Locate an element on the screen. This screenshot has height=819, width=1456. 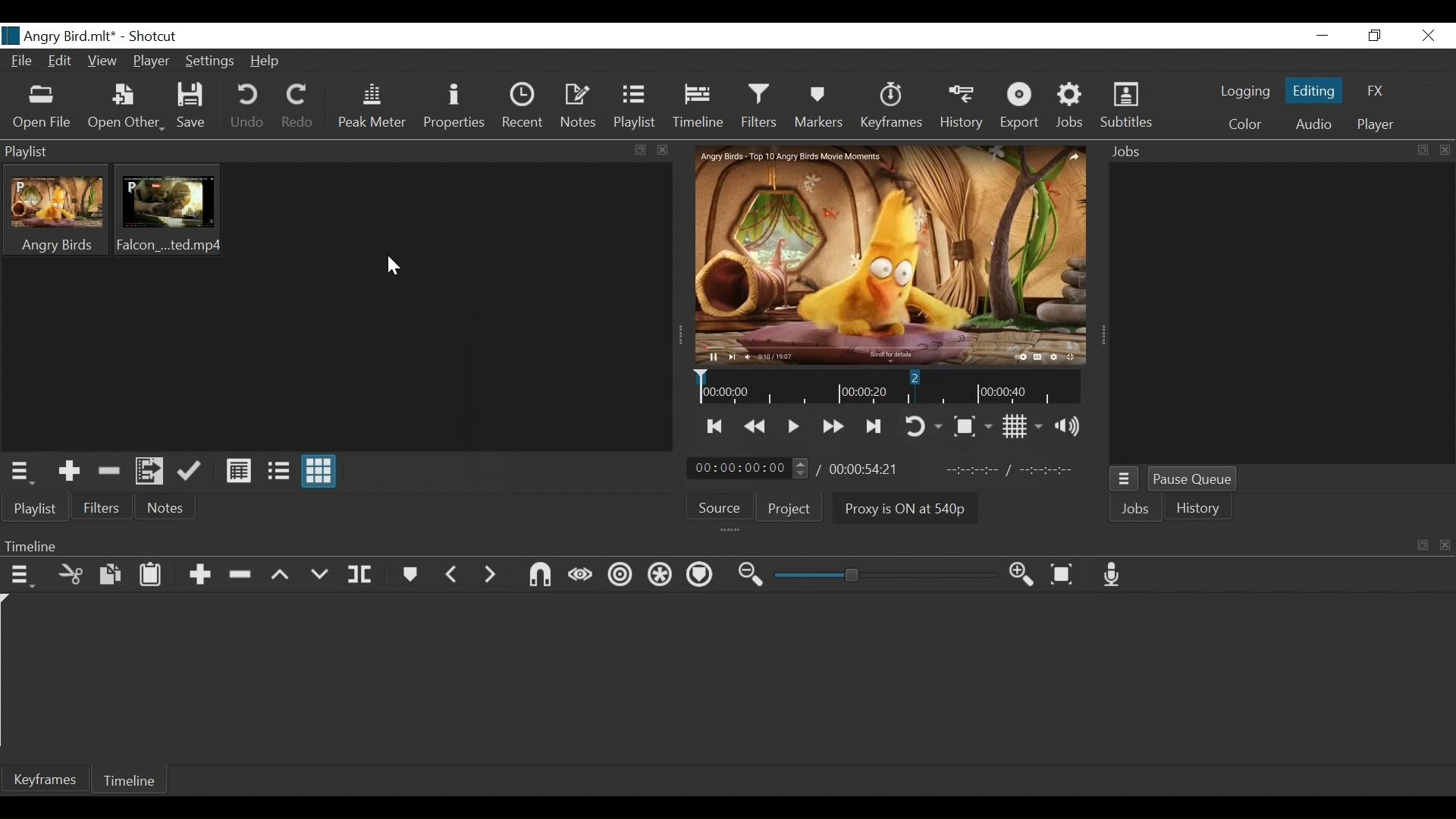
Split at playhead is located at coordinates (363, 576).